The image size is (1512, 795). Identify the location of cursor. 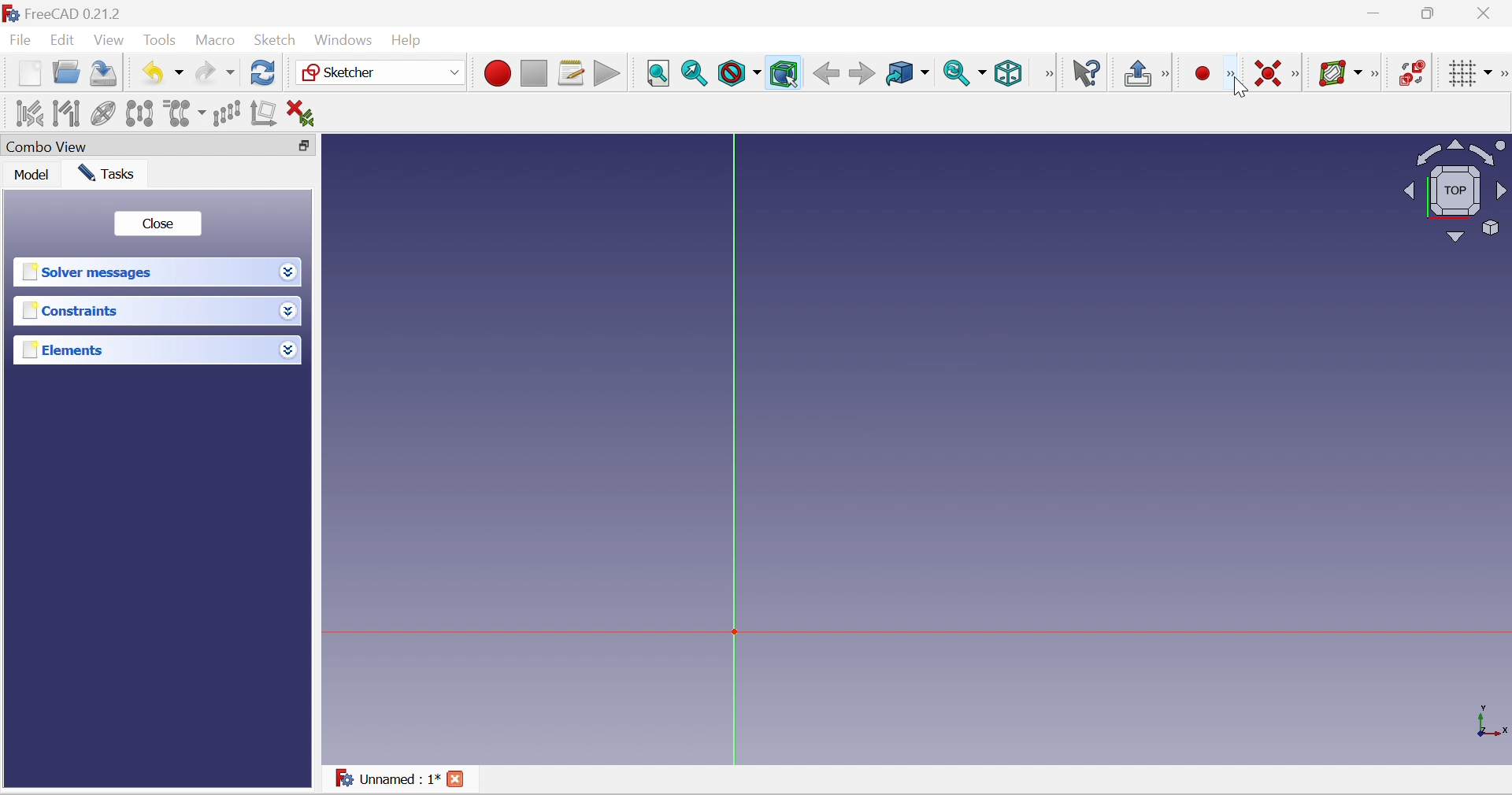
(1240, 87).